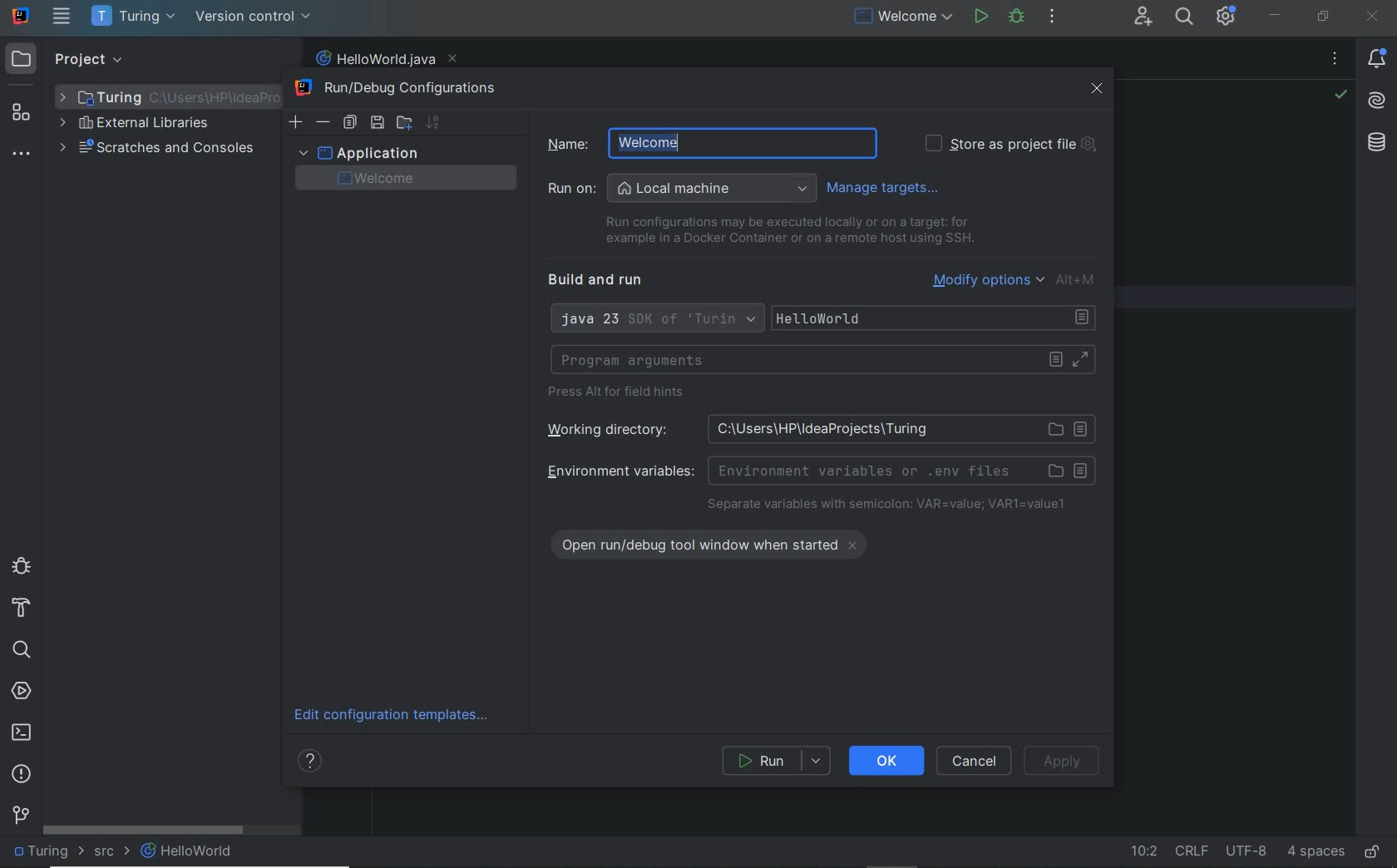 The image size is (1397, 868). I want to click on debug, so click(21, 565).